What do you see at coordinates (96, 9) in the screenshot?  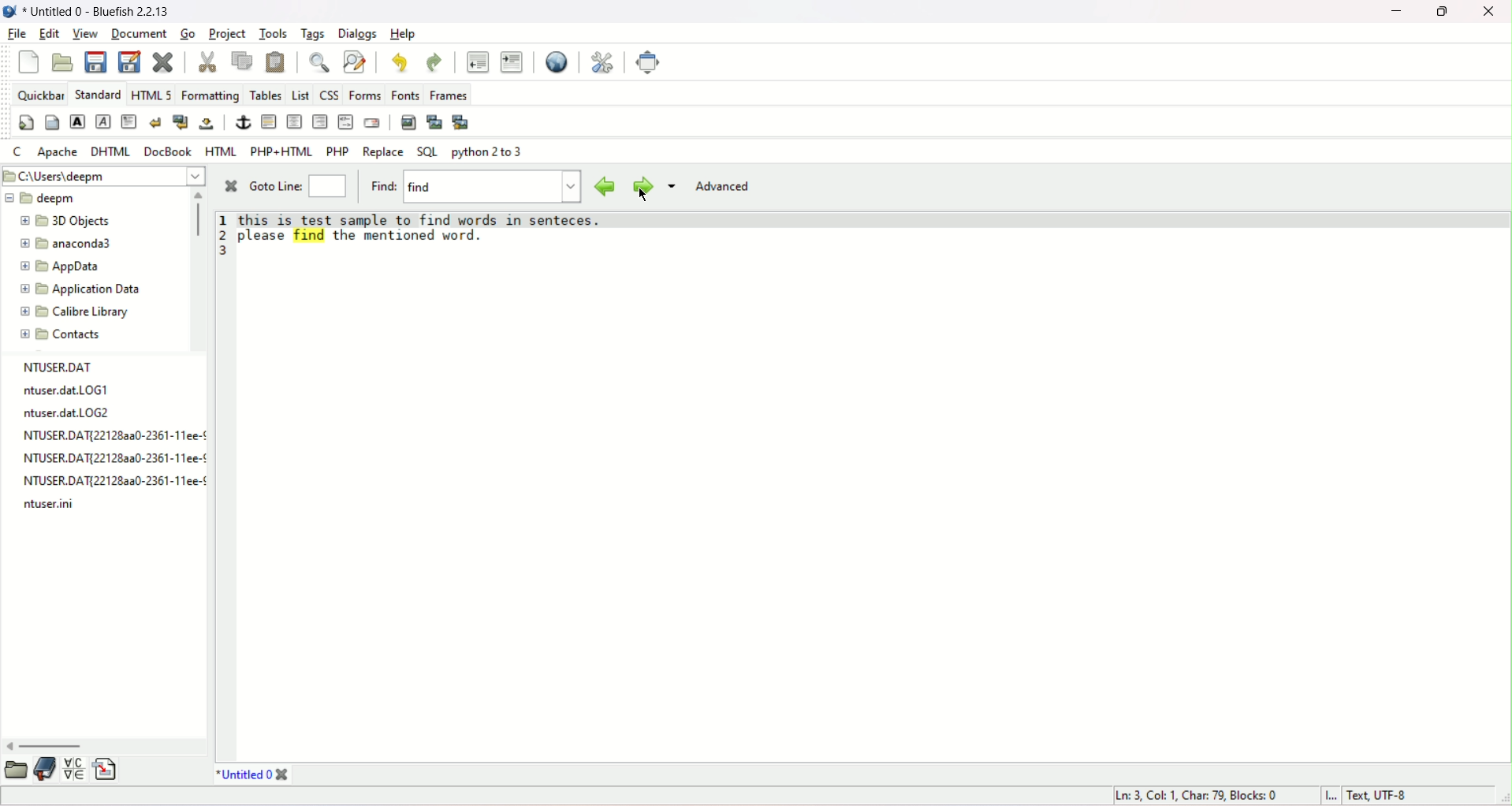 I see `title` at bounding box center [96, 9].